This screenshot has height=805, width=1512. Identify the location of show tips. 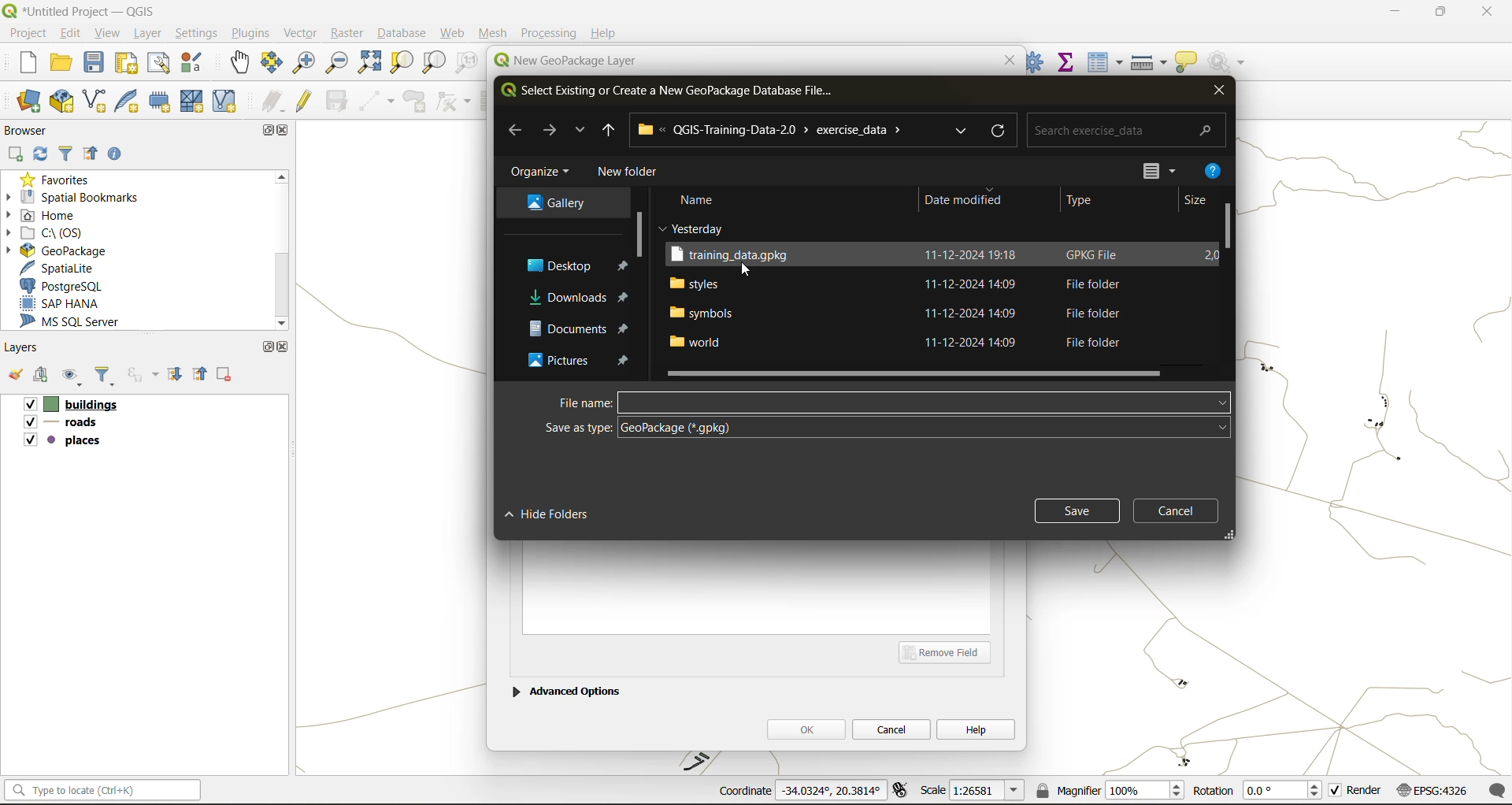
(1187, 63).